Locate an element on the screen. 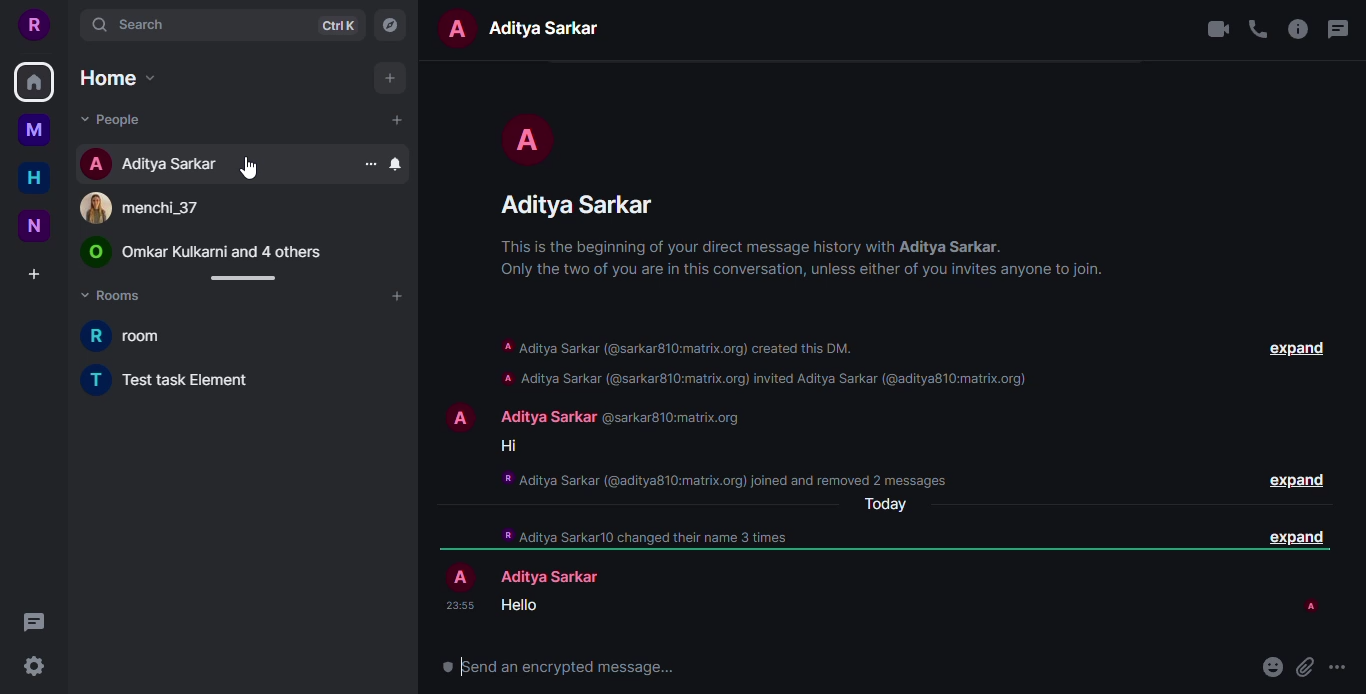  add is located at coordinates (388, 78).